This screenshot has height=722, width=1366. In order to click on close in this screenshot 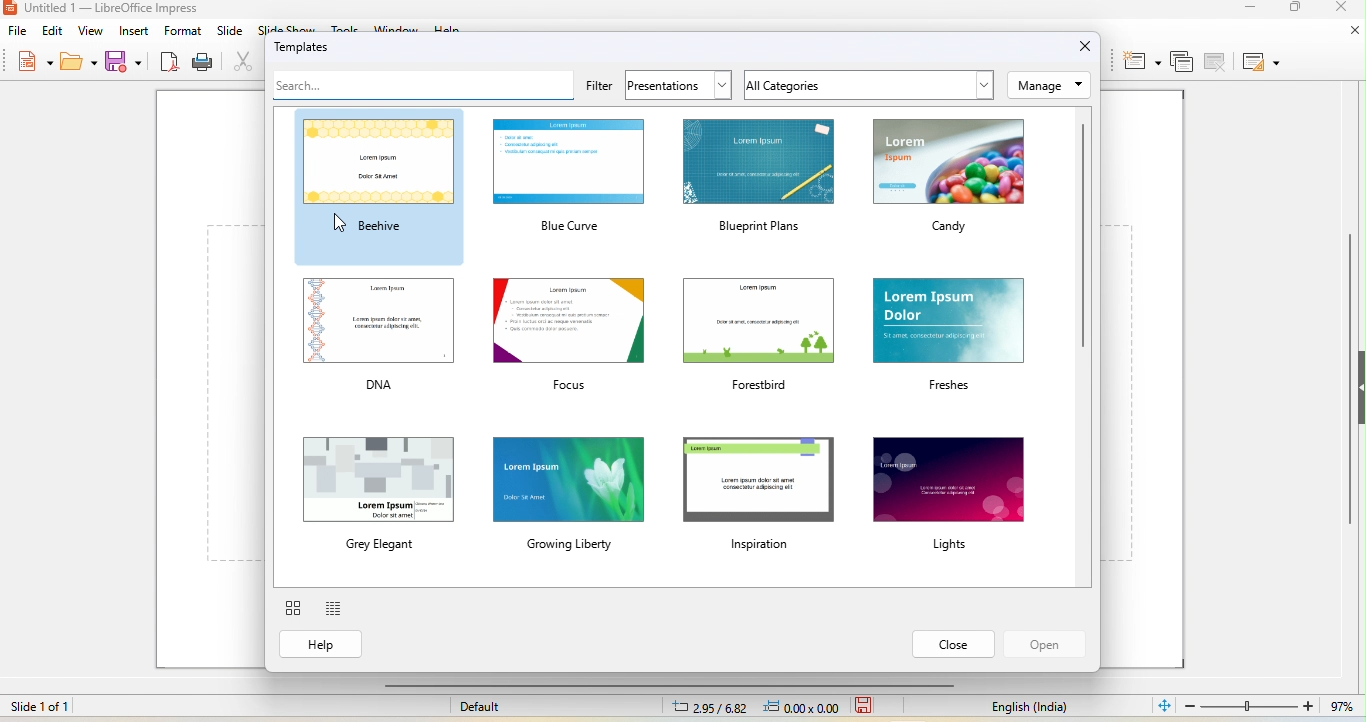, I will do `click(953, 644)`.